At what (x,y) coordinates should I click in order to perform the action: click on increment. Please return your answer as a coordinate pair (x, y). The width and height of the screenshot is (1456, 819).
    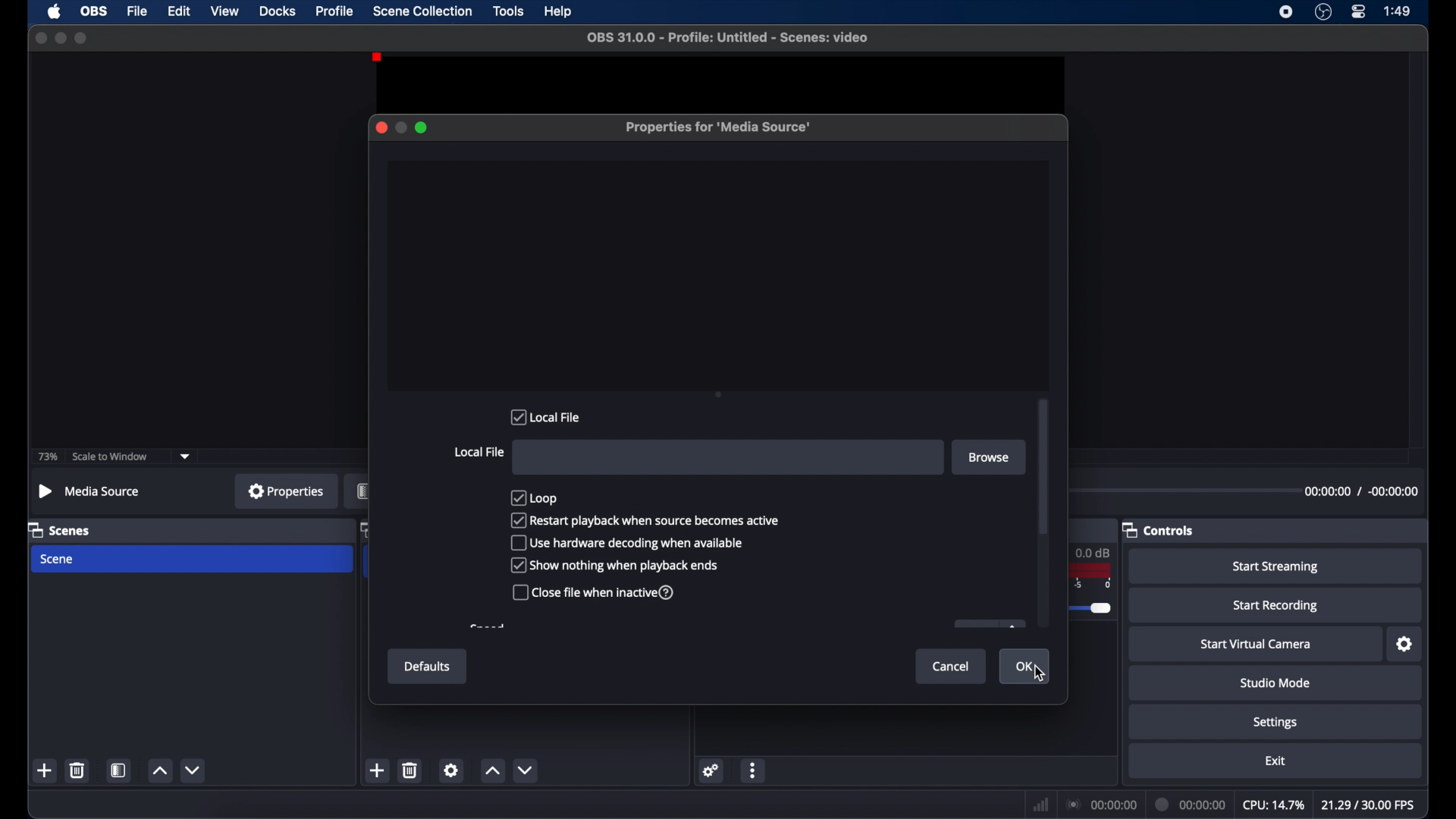
    Looking at the image, I should click on (491, 770).